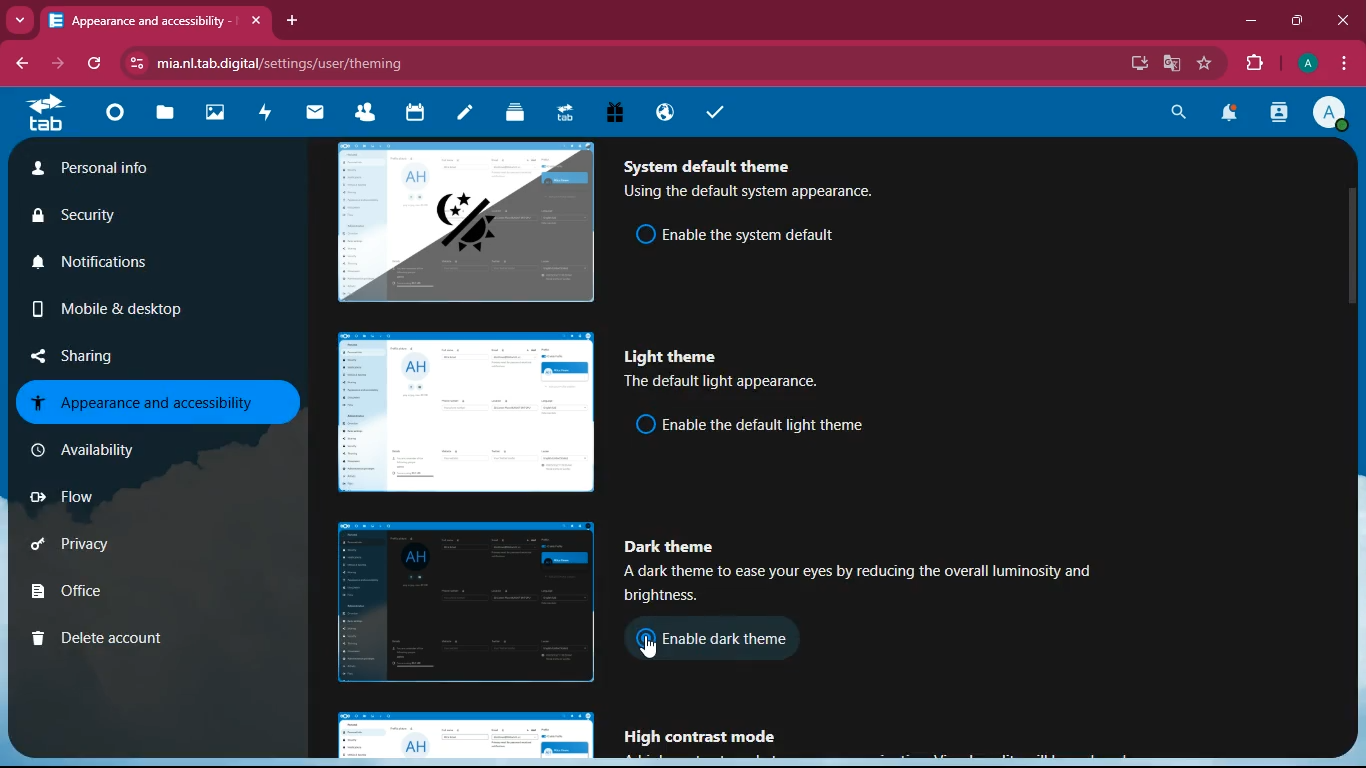 The image size is (1366, 768). What do you see at coordinates (126, 640) in the screenshot?
I see `delete account` at bounding box center [126, 640].